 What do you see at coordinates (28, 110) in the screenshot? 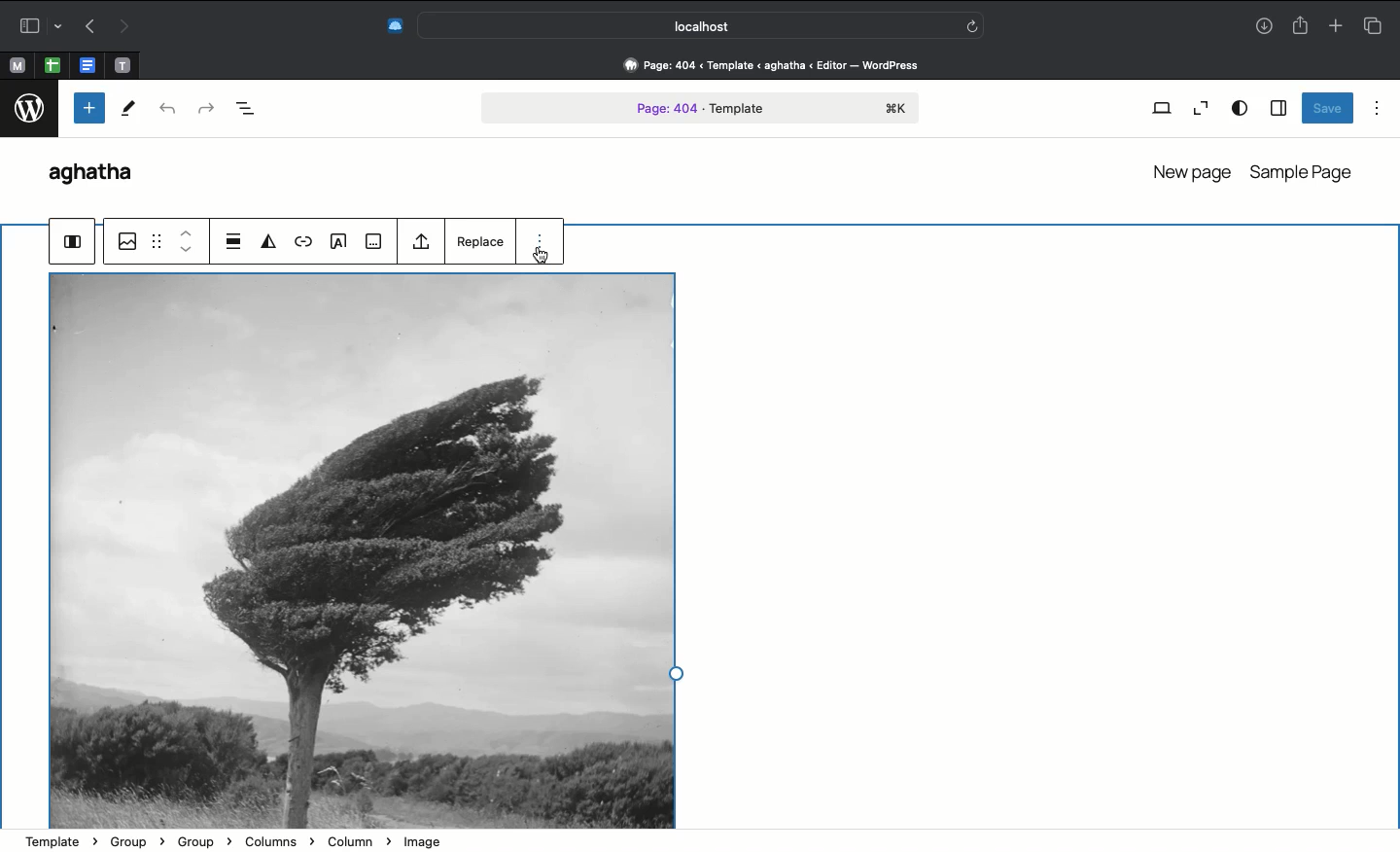
I see `logo` at bounding box center [28, 110].